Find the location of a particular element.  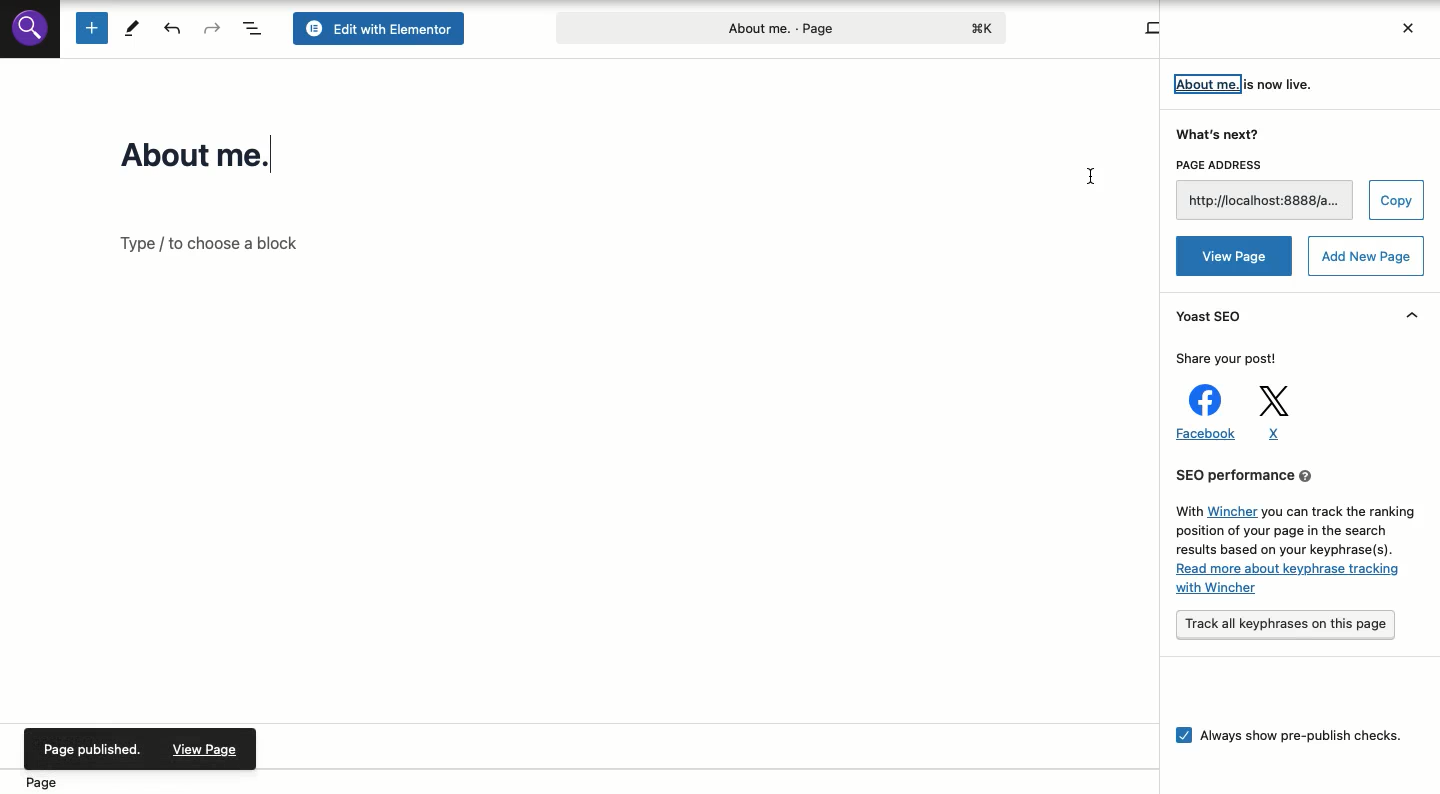

View Page is located at coordinates (209, 749).